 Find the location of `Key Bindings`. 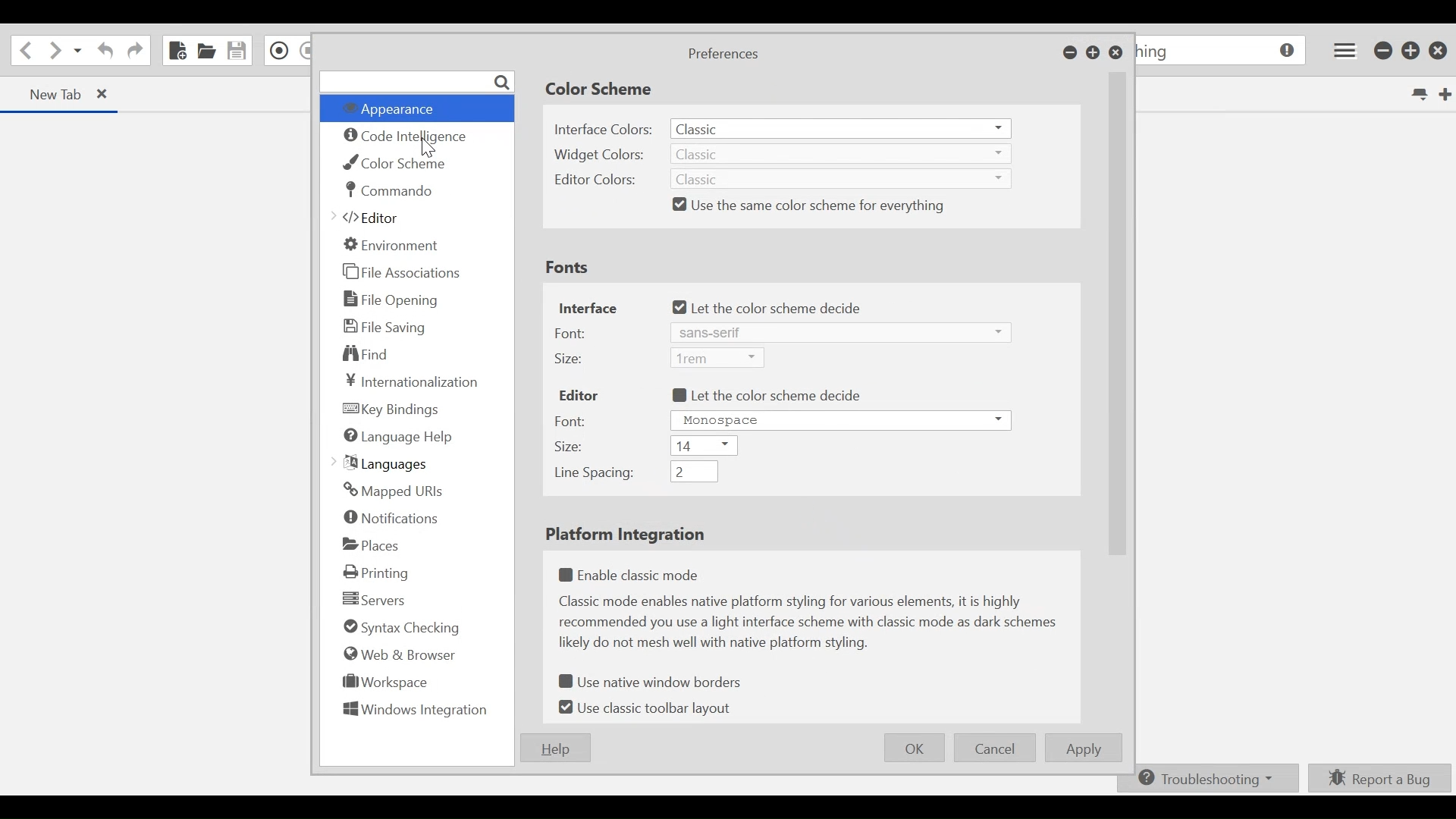

Key Bindings is located at coordinates (392, 409).